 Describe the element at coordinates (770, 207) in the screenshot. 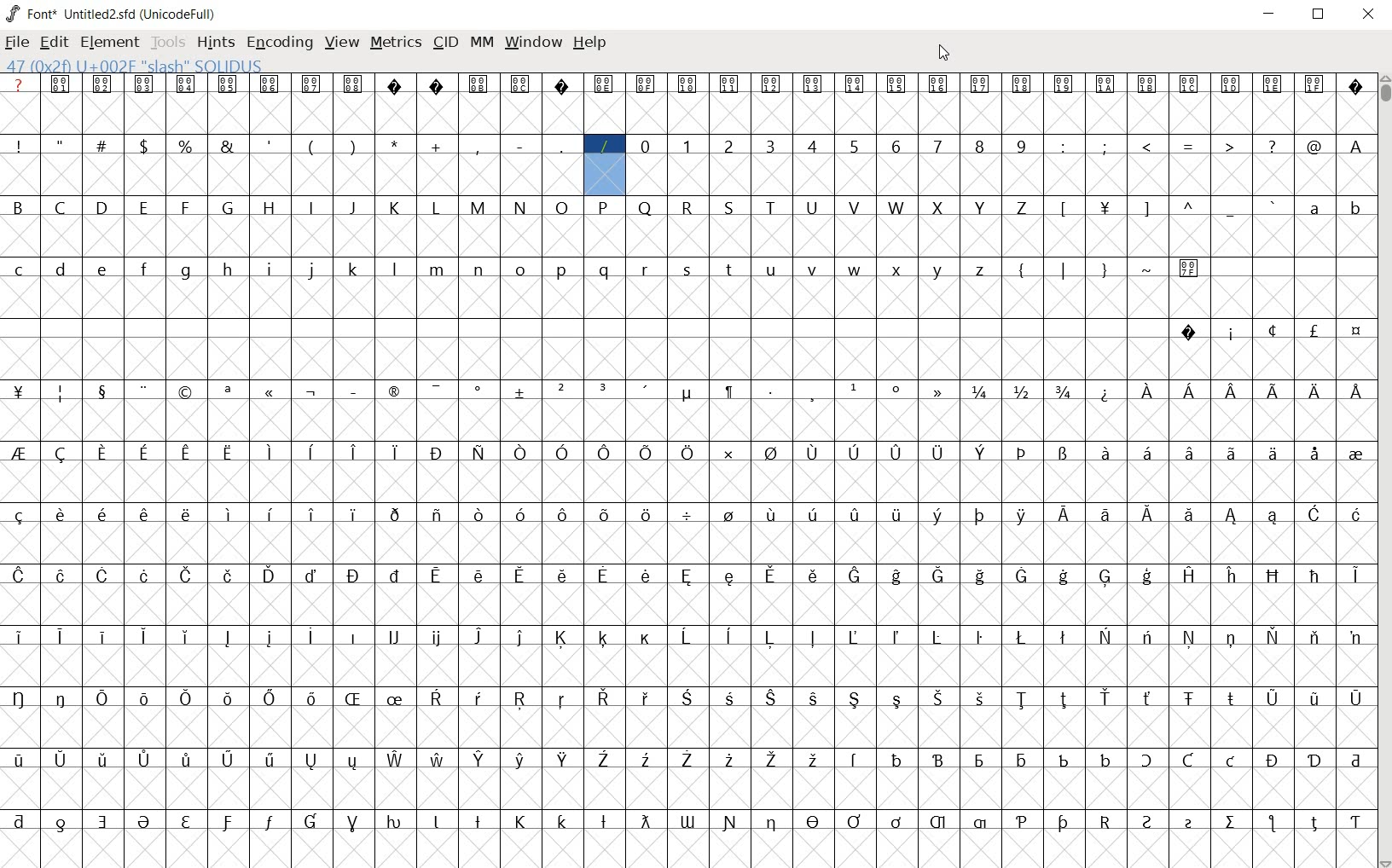

I see `glyph` at that location.